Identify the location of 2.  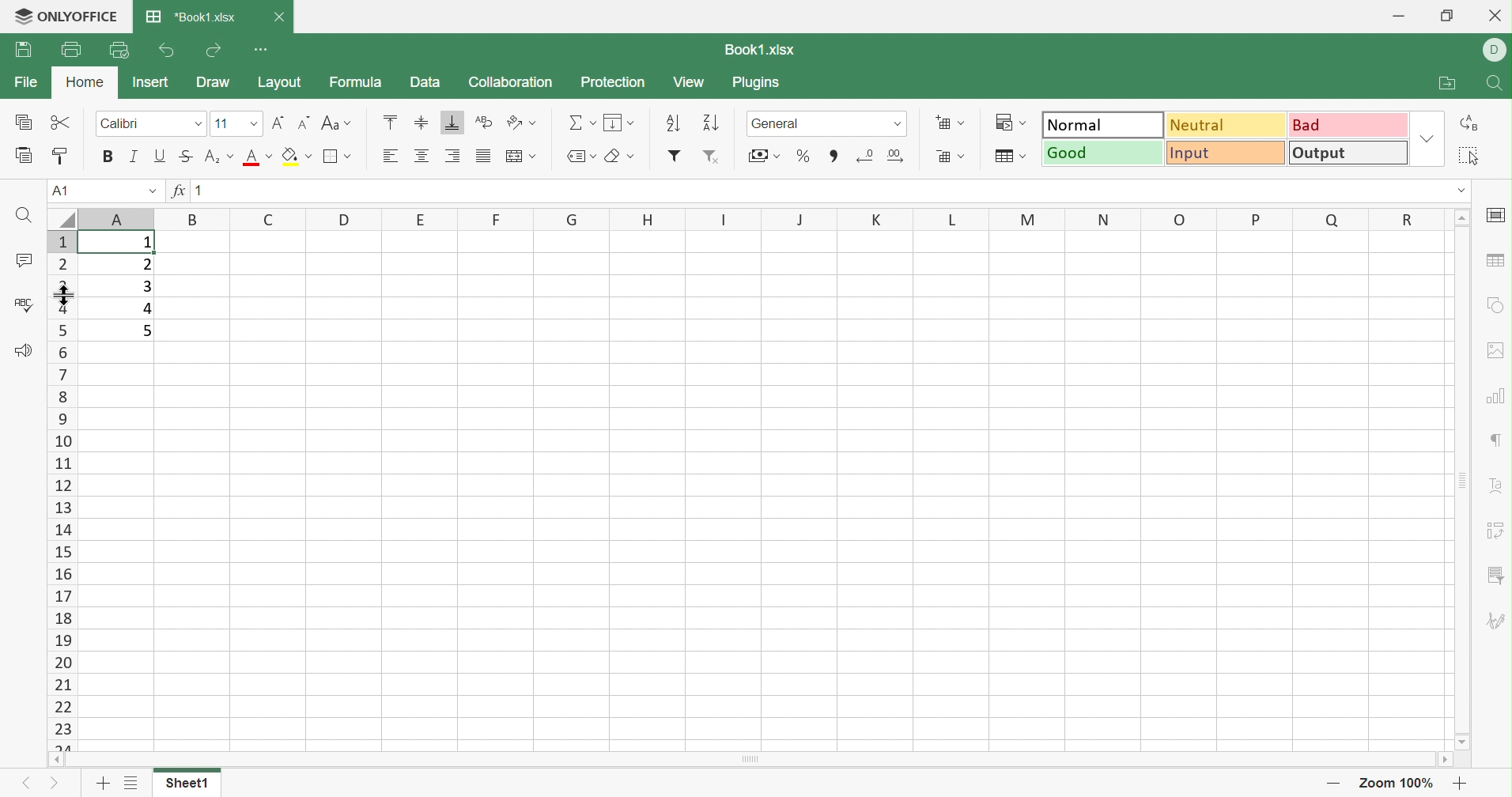
(146, 266).